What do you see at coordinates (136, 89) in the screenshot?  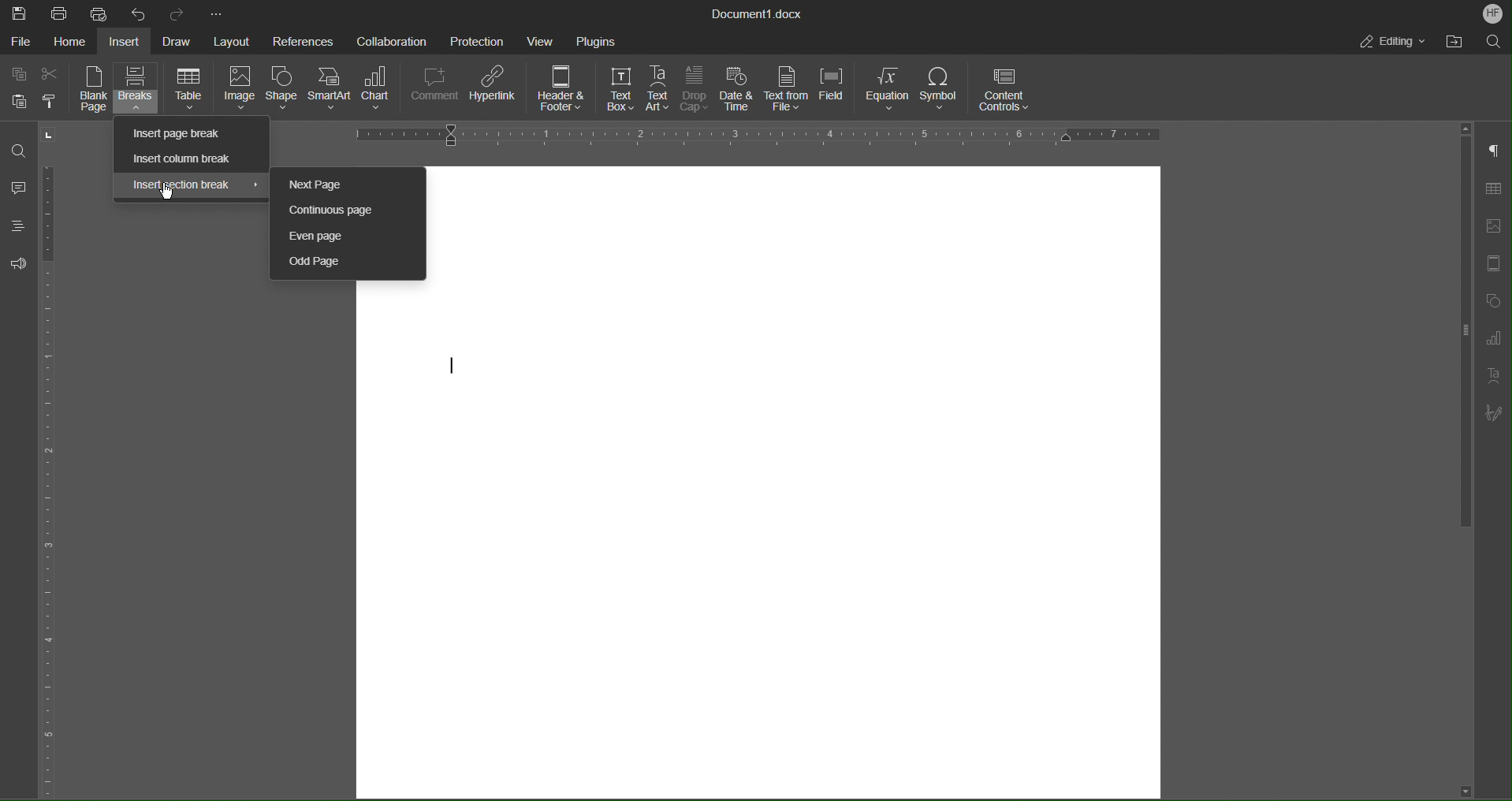 I see `Breaks` at bounding box center [136, 89].